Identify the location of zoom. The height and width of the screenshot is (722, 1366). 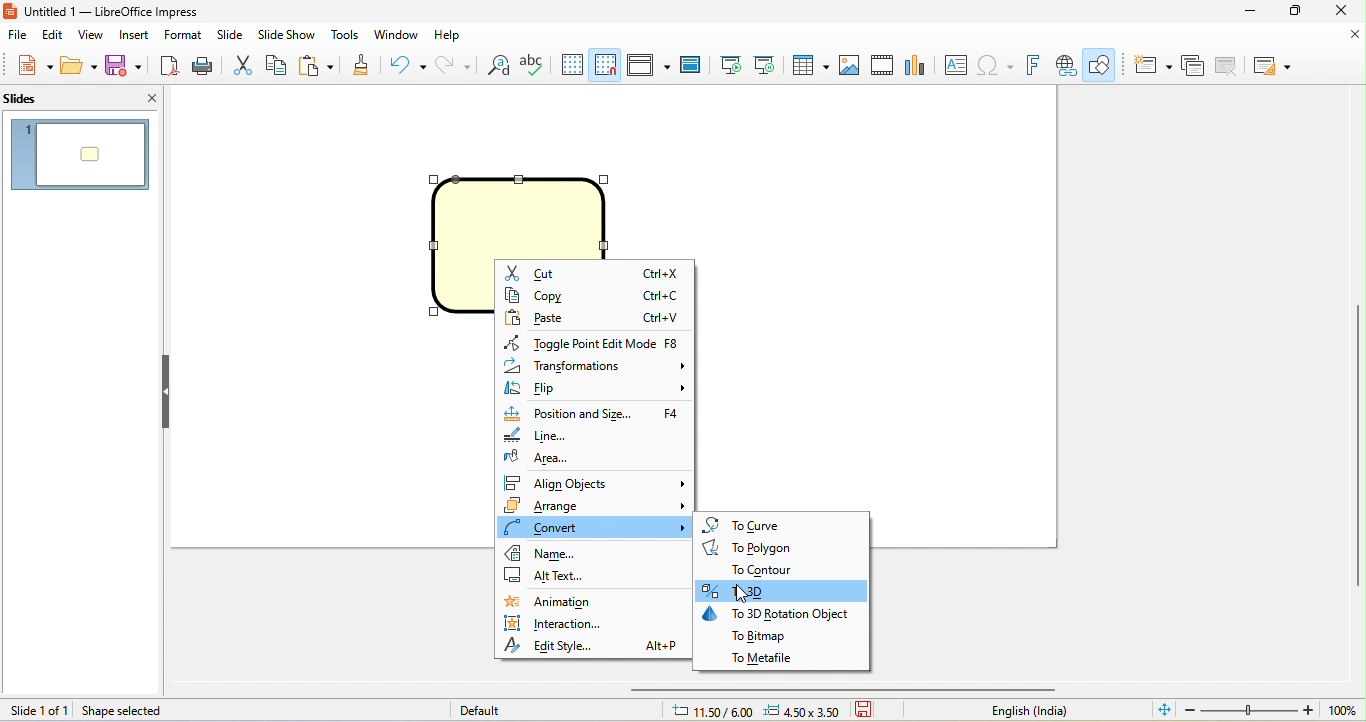
(1272, 710).